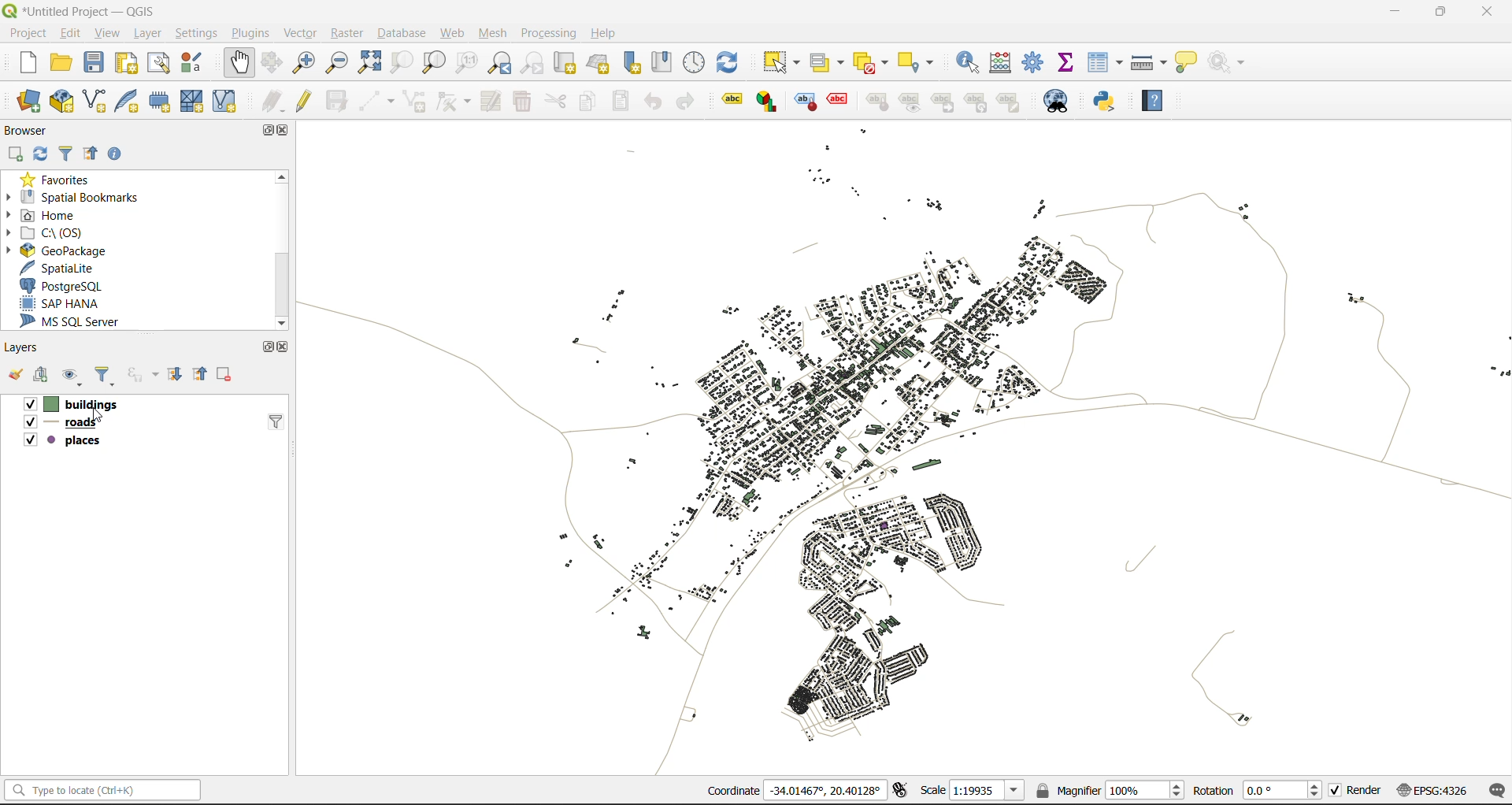 The image size is (1512, 805). What do you see at coordinates (265, 348) in the screenshot?
I see `maximize` at bounding box center [265, 348].